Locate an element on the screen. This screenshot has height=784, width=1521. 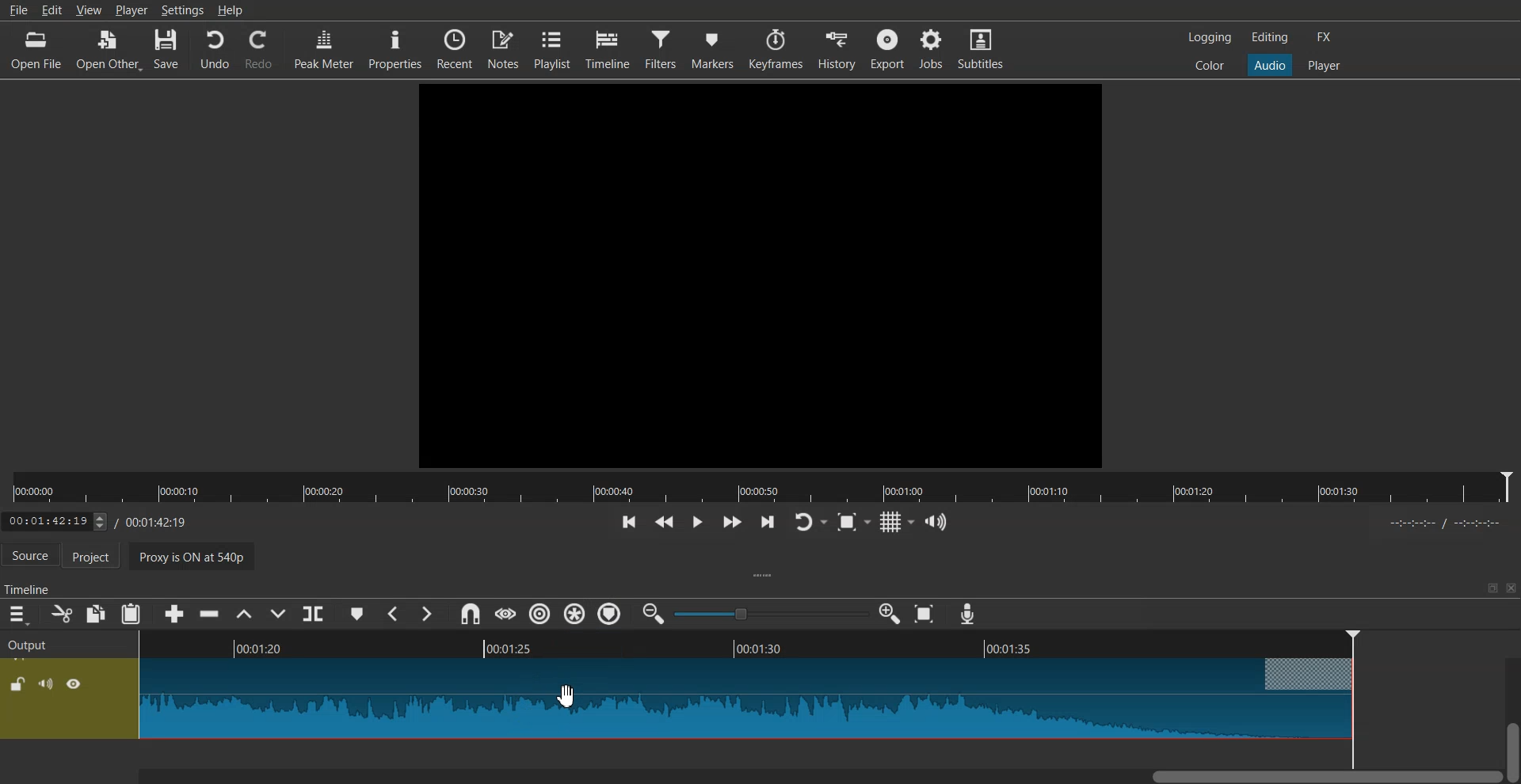
History is located at coordinates (836, 48).